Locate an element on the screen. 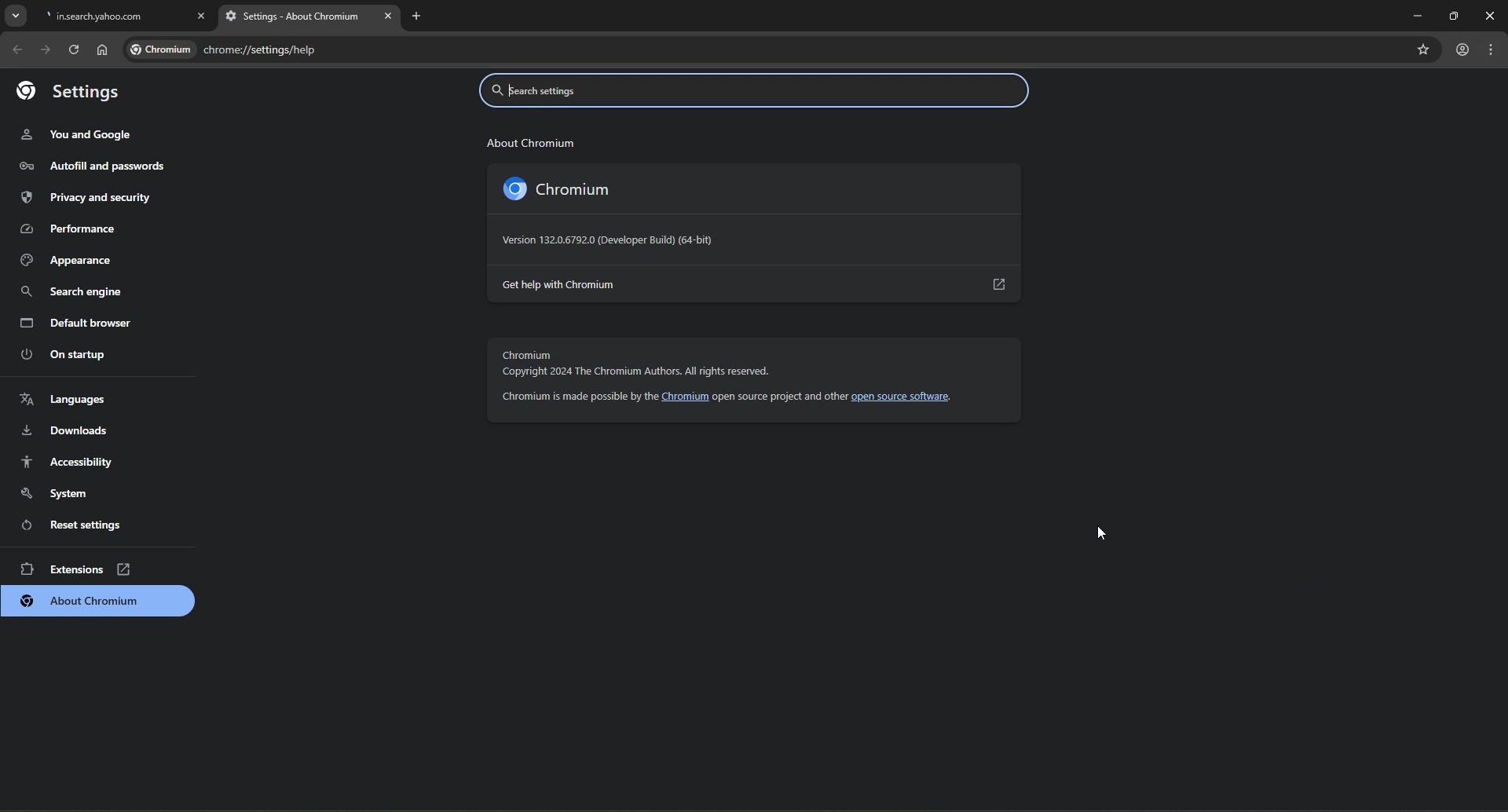 The image size is (1508, 812). Auto fill and passwords is located at coordinates (92, 166).